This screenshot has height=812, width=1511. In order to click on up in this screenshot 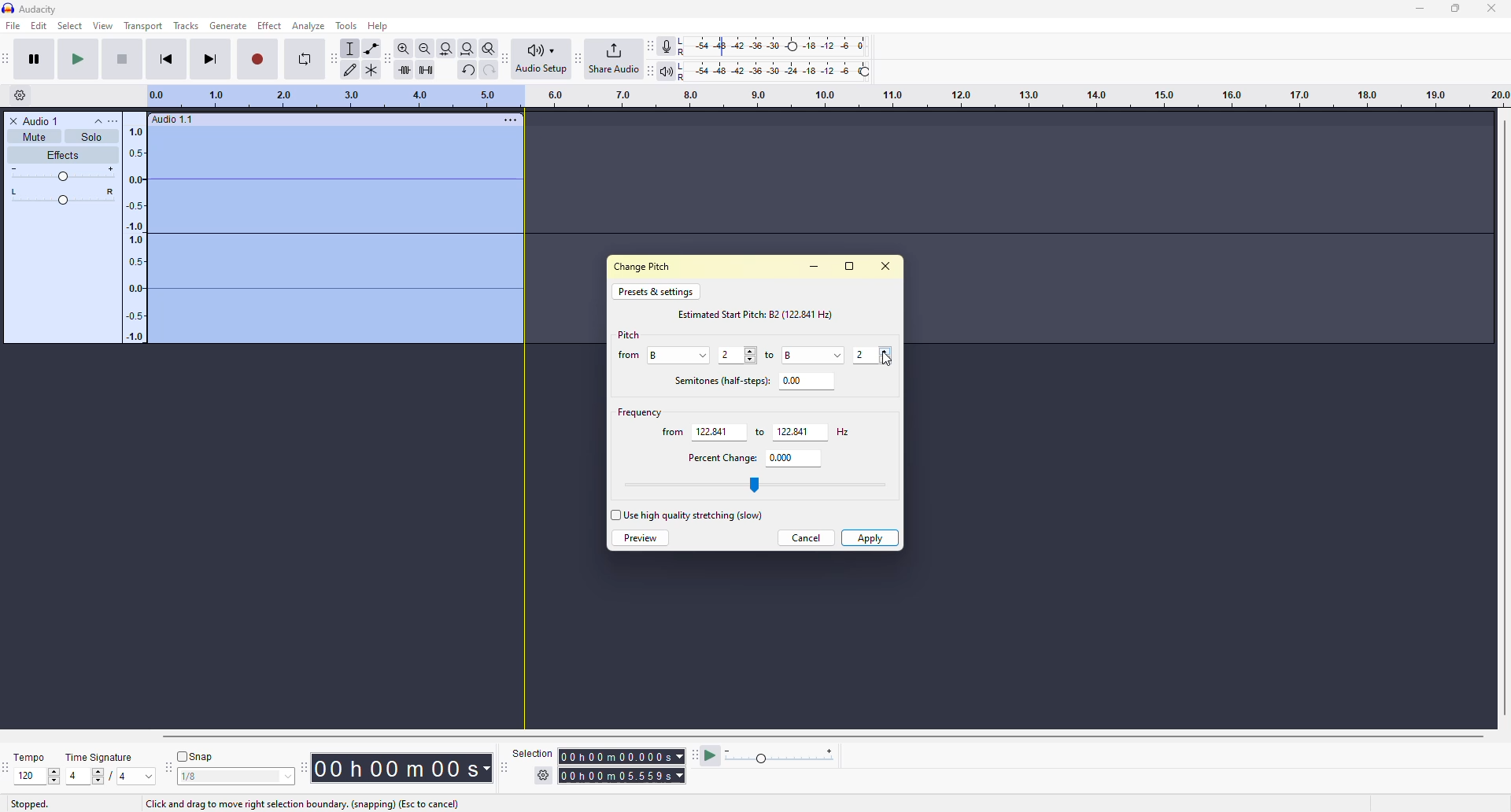, I will do `click(885, 350)`.